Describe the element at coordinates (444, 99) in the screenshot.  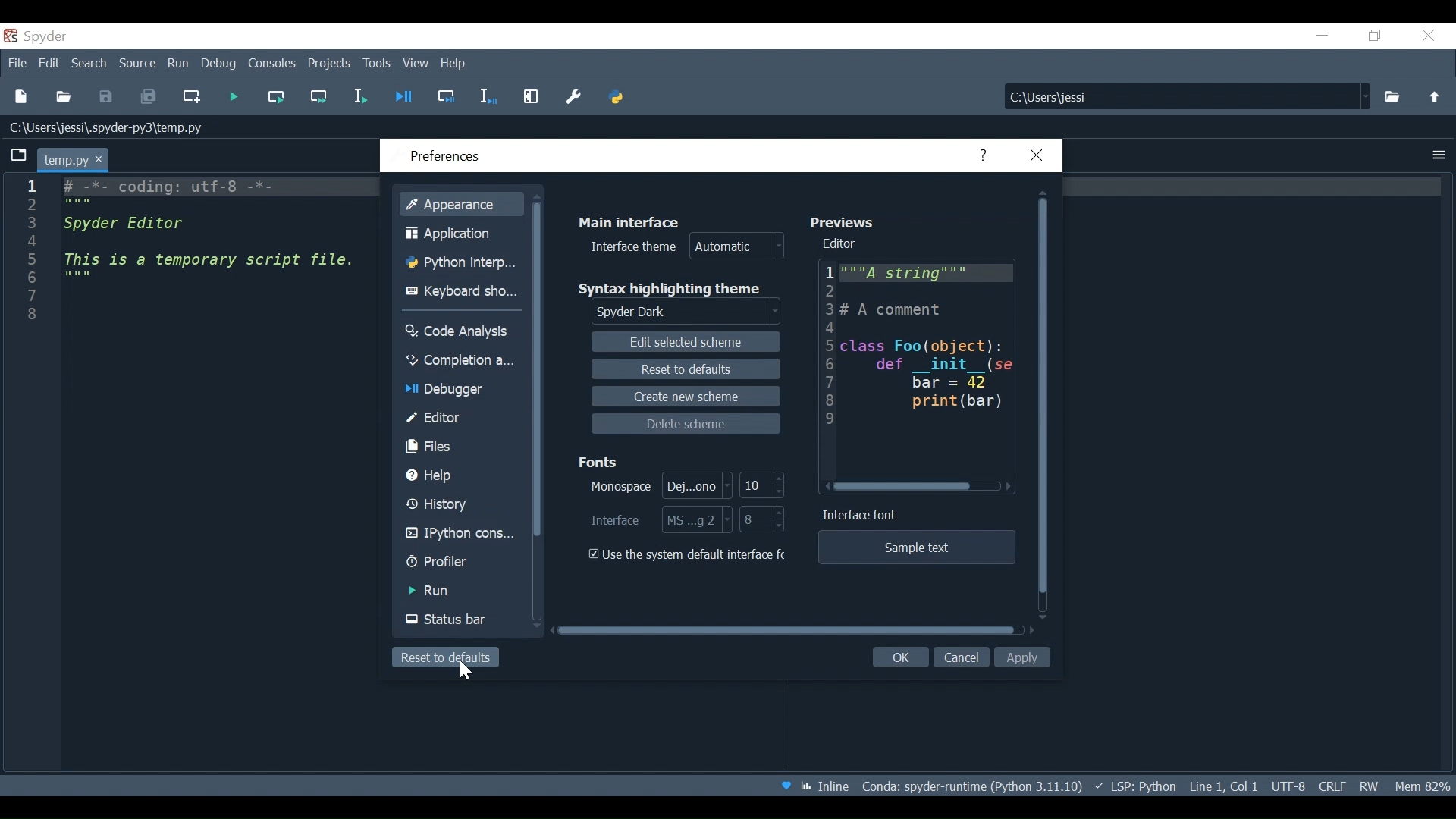
I see `Debug cell` at that location.